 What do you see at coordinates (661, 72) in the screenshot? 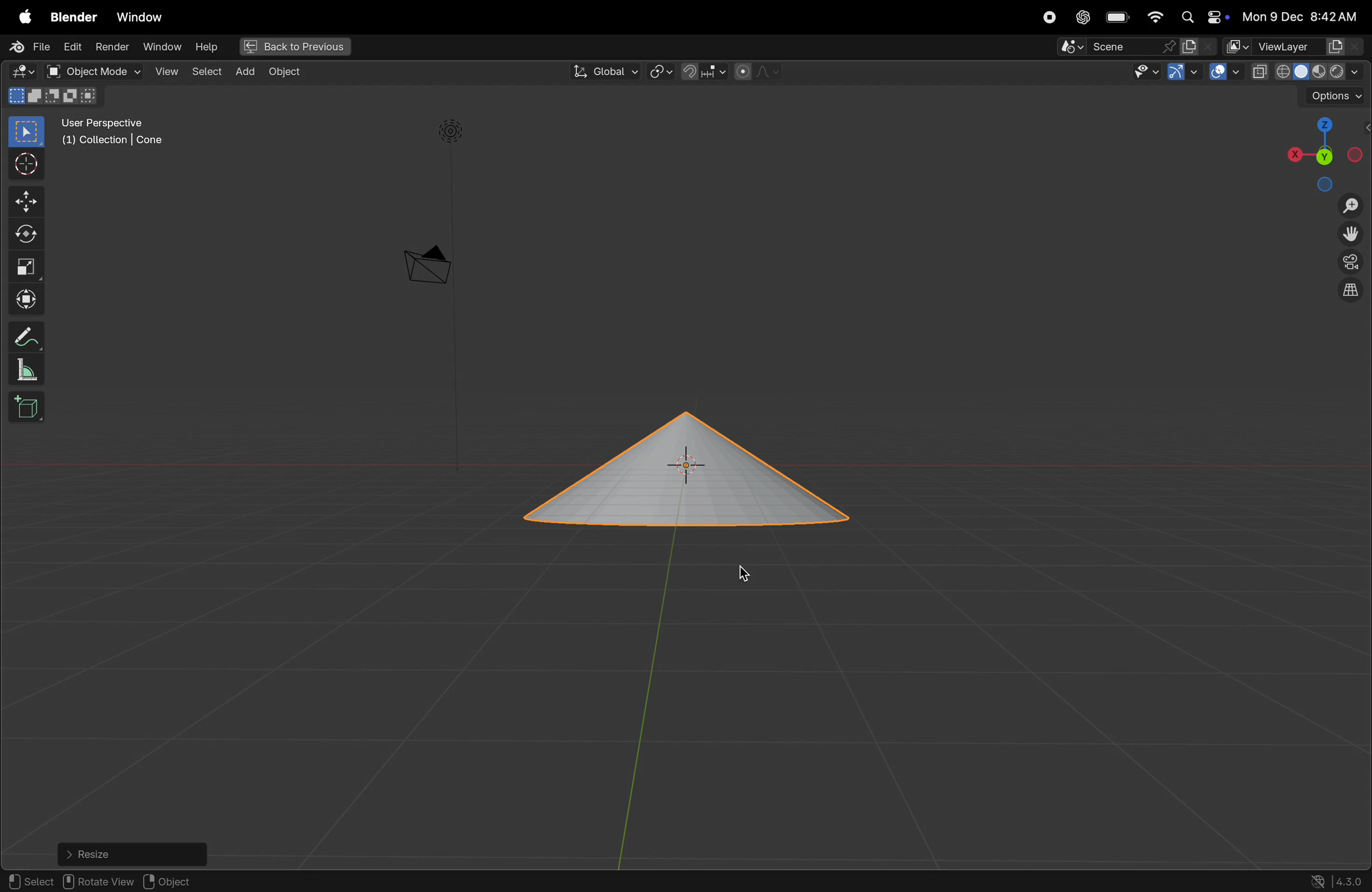
I see `transform pviot` at bounding box center [661, 72].